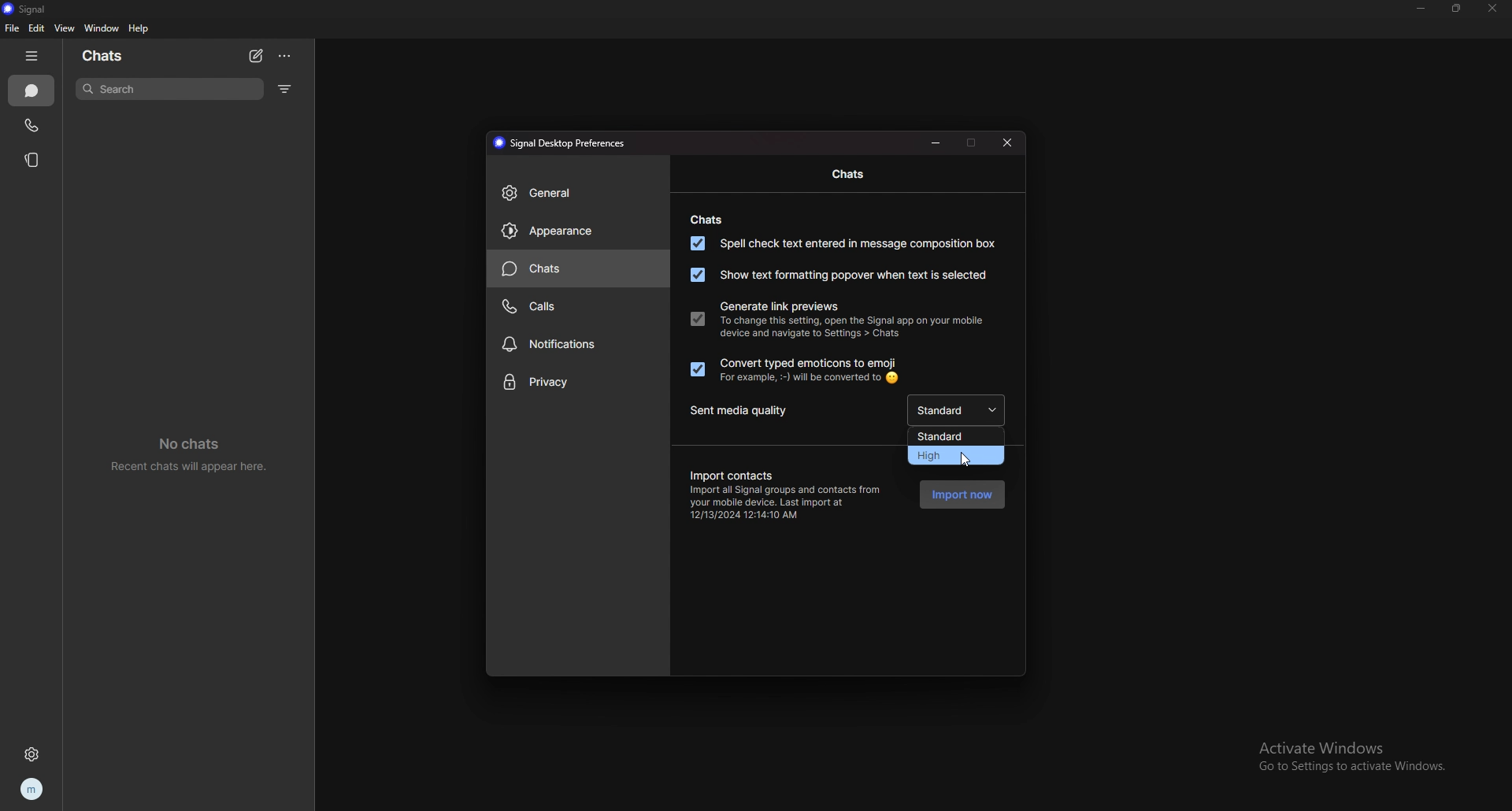 The height and width of the screenshot is (811, 1512). I want to click on standard, so click(954, 435).